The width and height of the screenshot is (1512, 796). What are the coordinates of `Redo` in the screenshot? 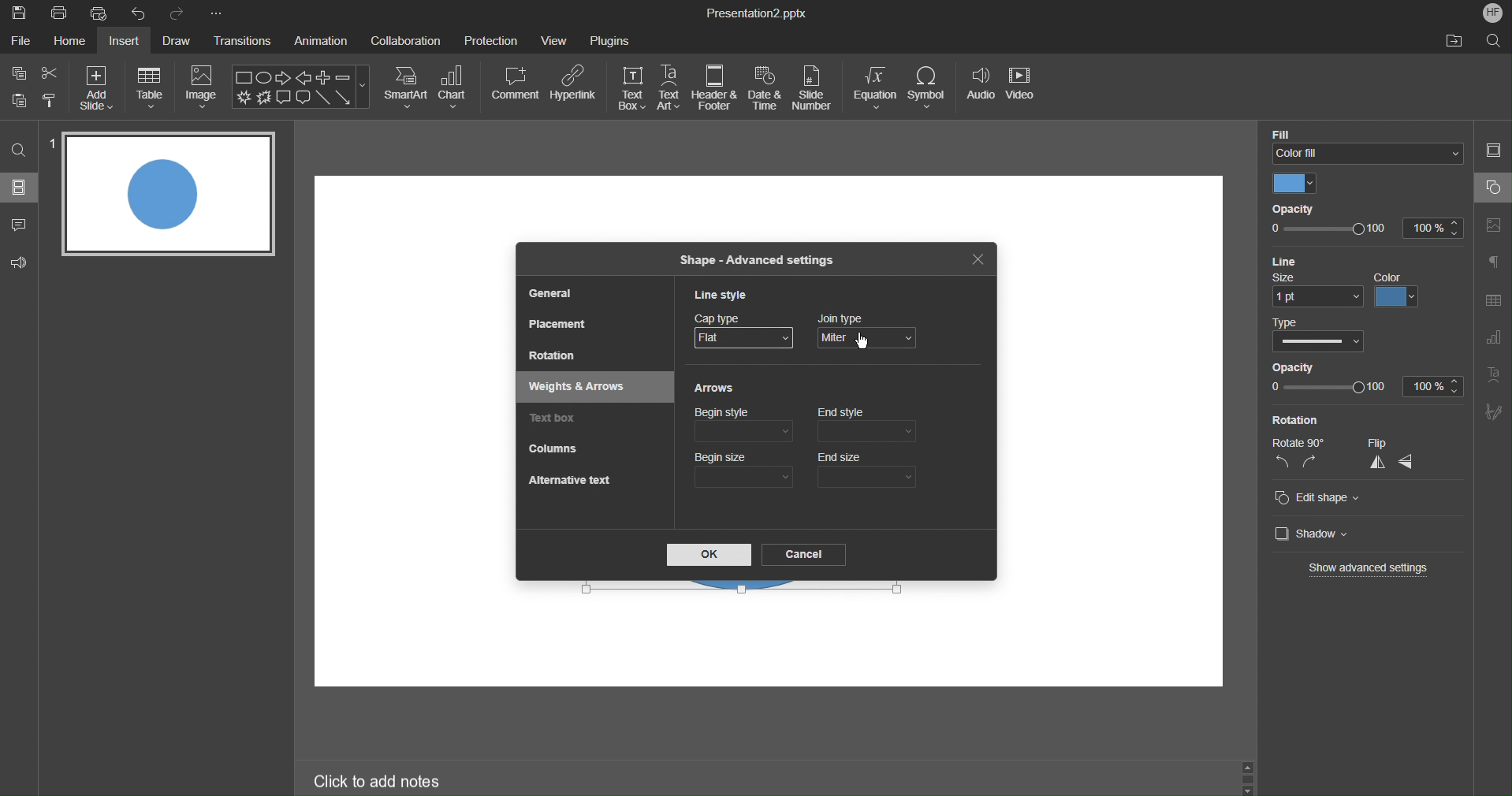 It's located at (178, 13).